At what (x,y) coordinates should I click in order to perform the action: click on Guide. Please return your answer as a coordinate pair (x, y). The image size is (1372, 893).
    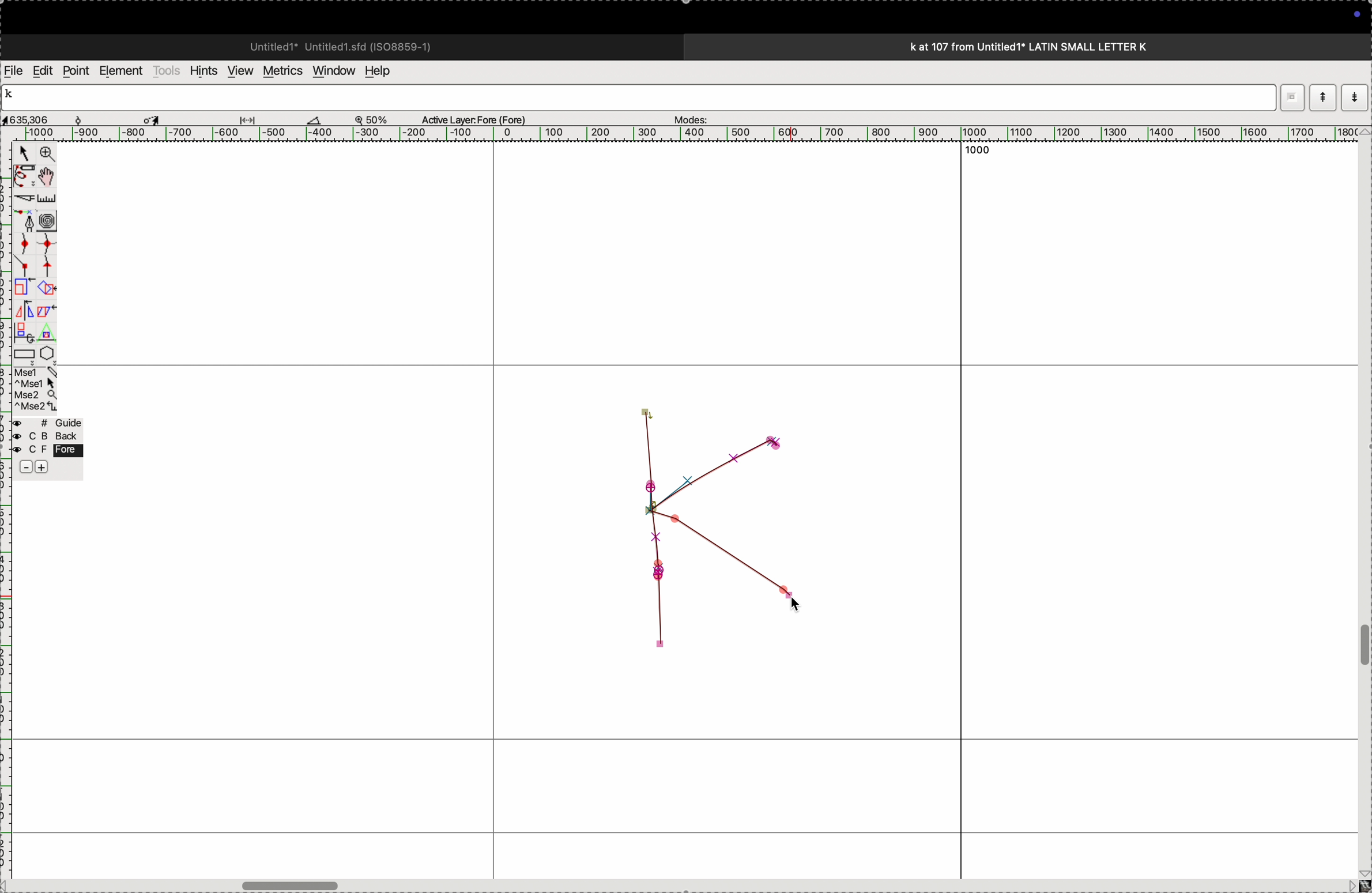
    Looking at the image, I should click on (47, 446).